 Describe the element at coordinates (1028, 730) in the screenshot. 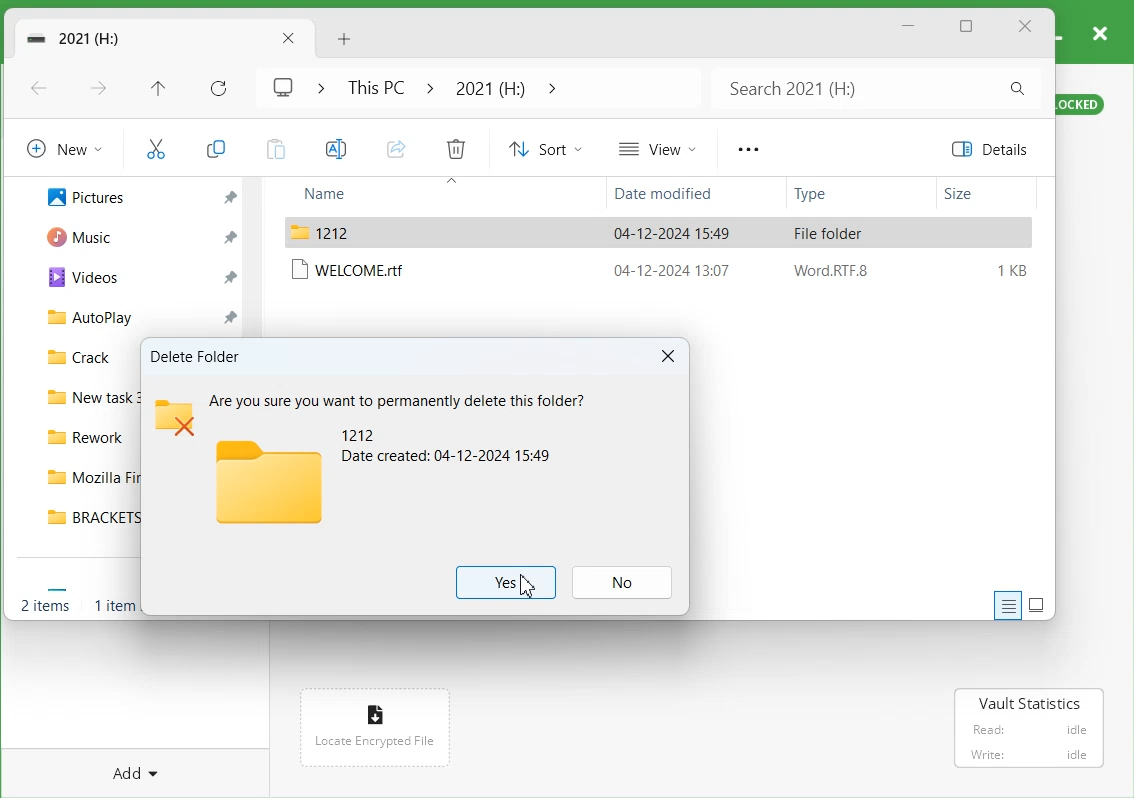

I see `Read: idle` at that location.